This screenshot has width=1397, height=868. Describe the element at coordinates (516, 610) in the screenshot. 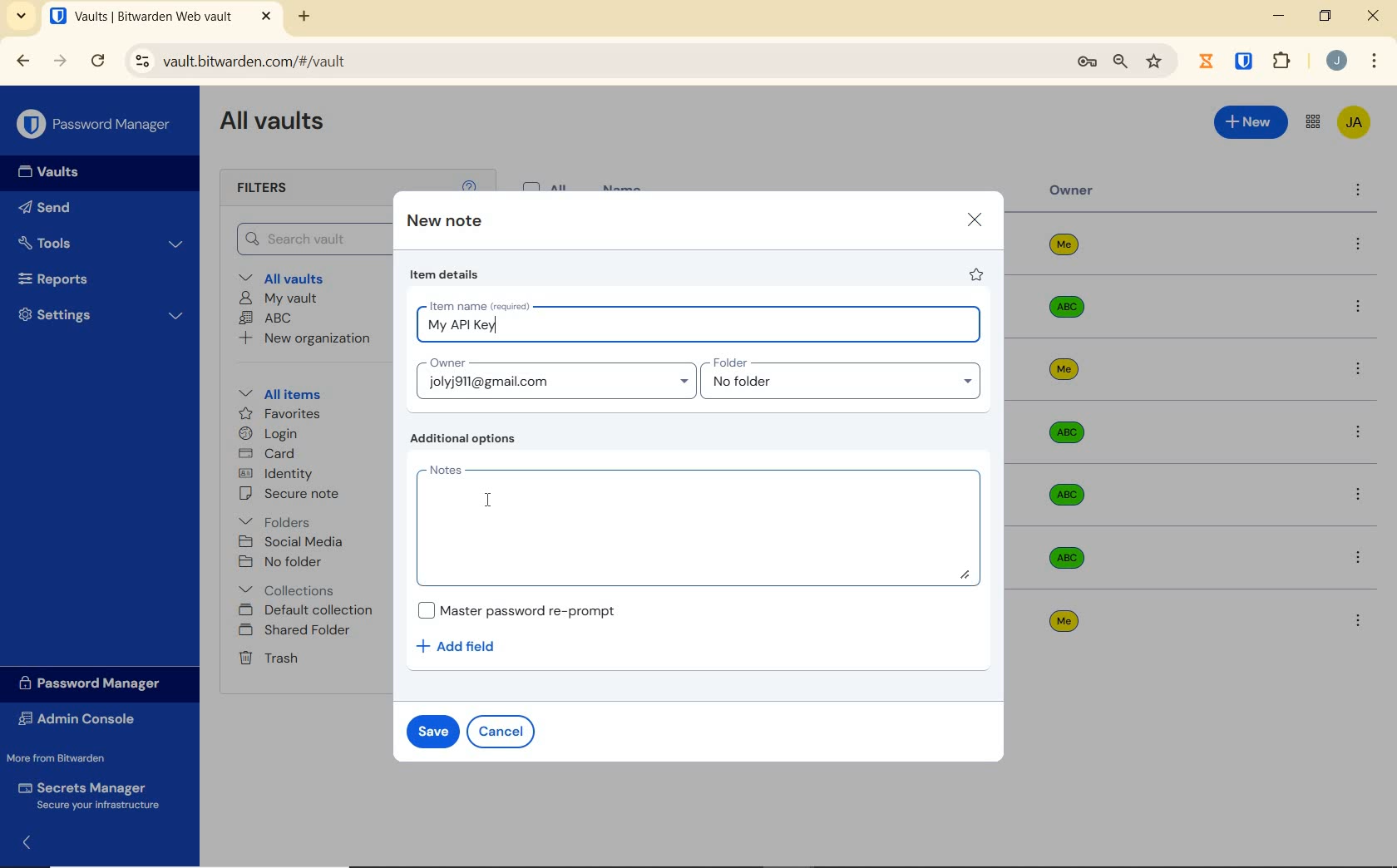

I see `Master password re-prompt` at that location.